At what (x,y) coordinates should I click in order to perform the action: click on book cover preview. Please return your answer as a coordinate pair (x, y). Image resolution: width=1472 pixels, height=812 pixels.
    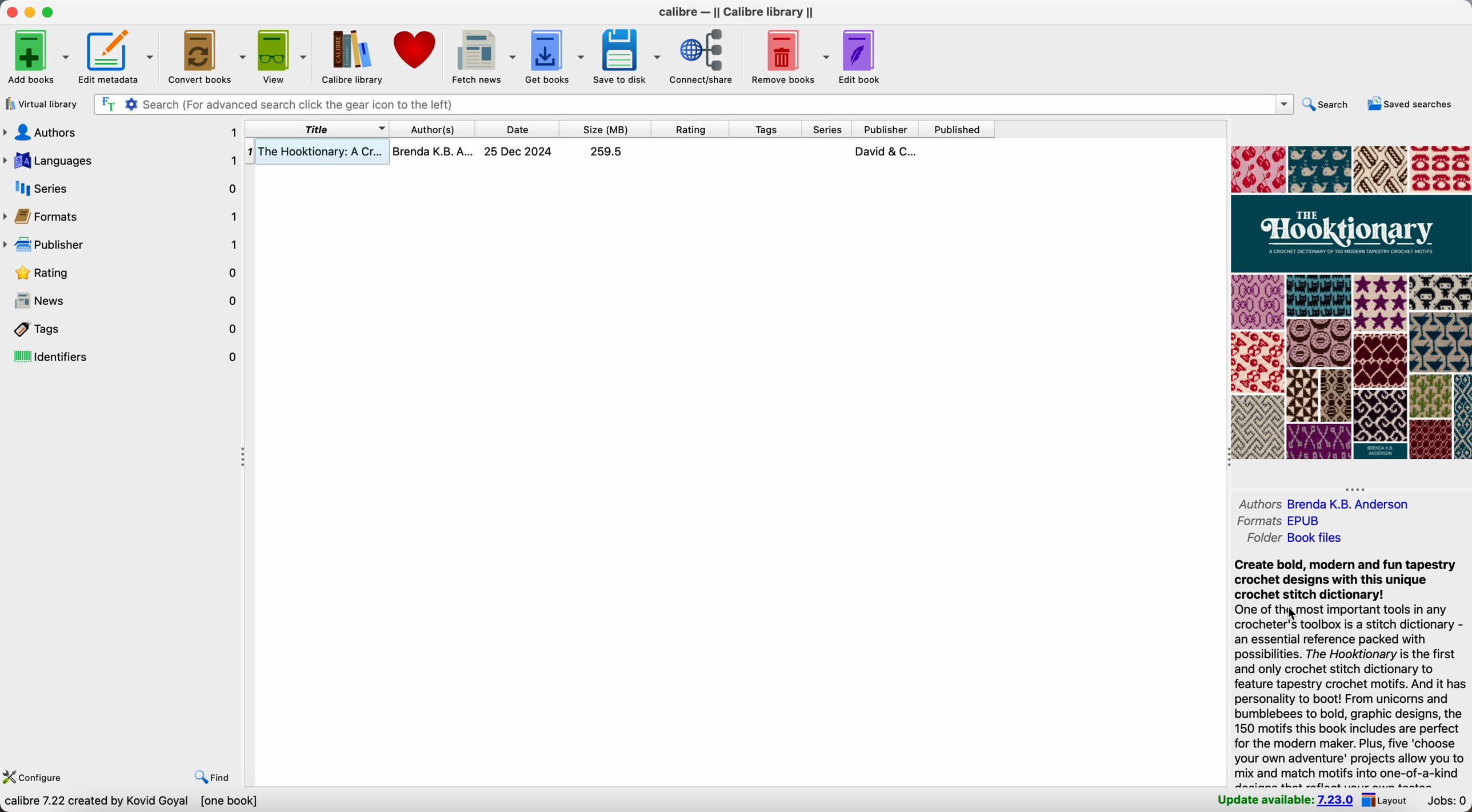
    Looking at the image, I should click on (1350, 303).